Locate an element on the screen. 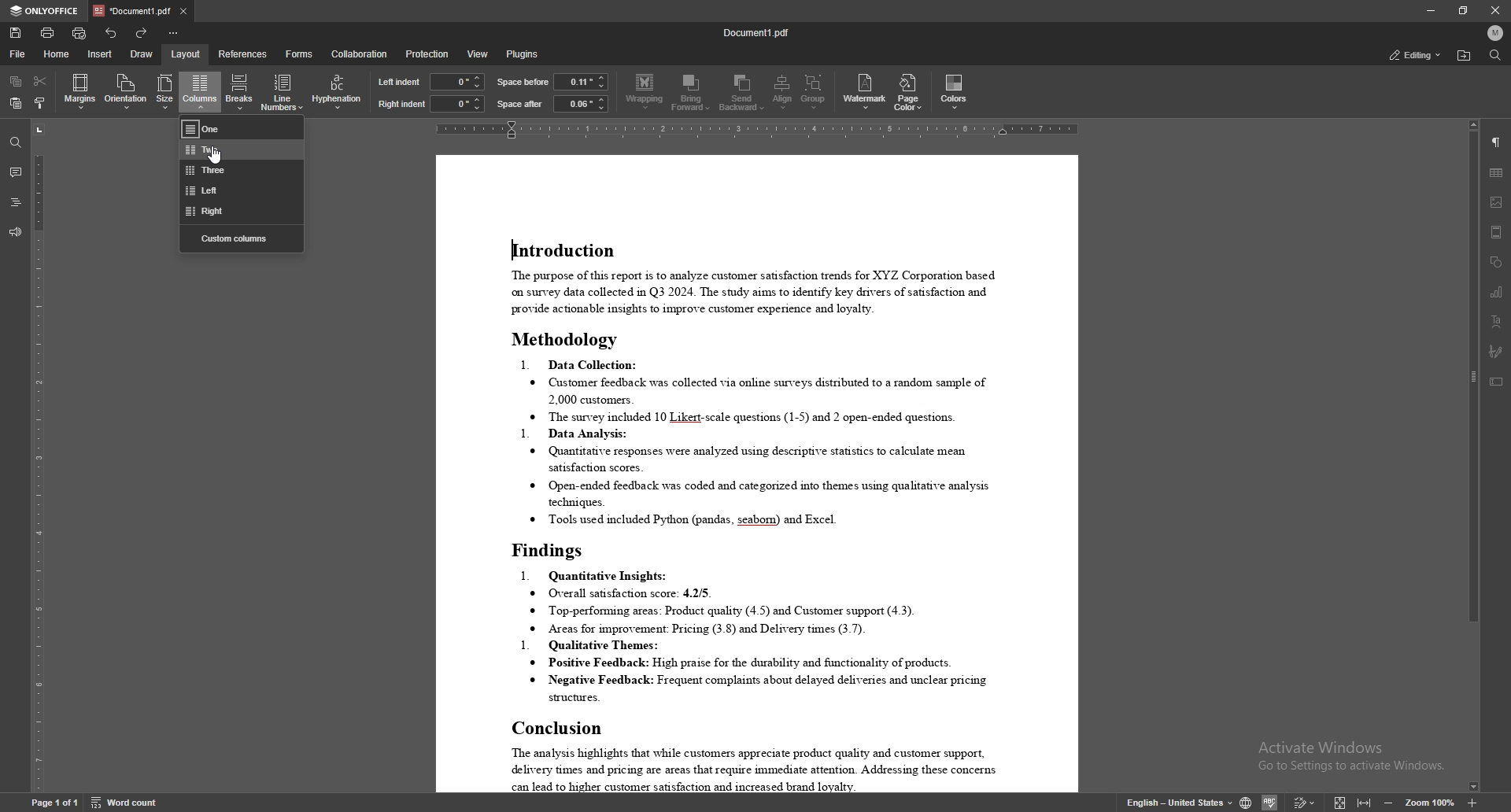  horizontal scale is located at coordinates (762, 130).